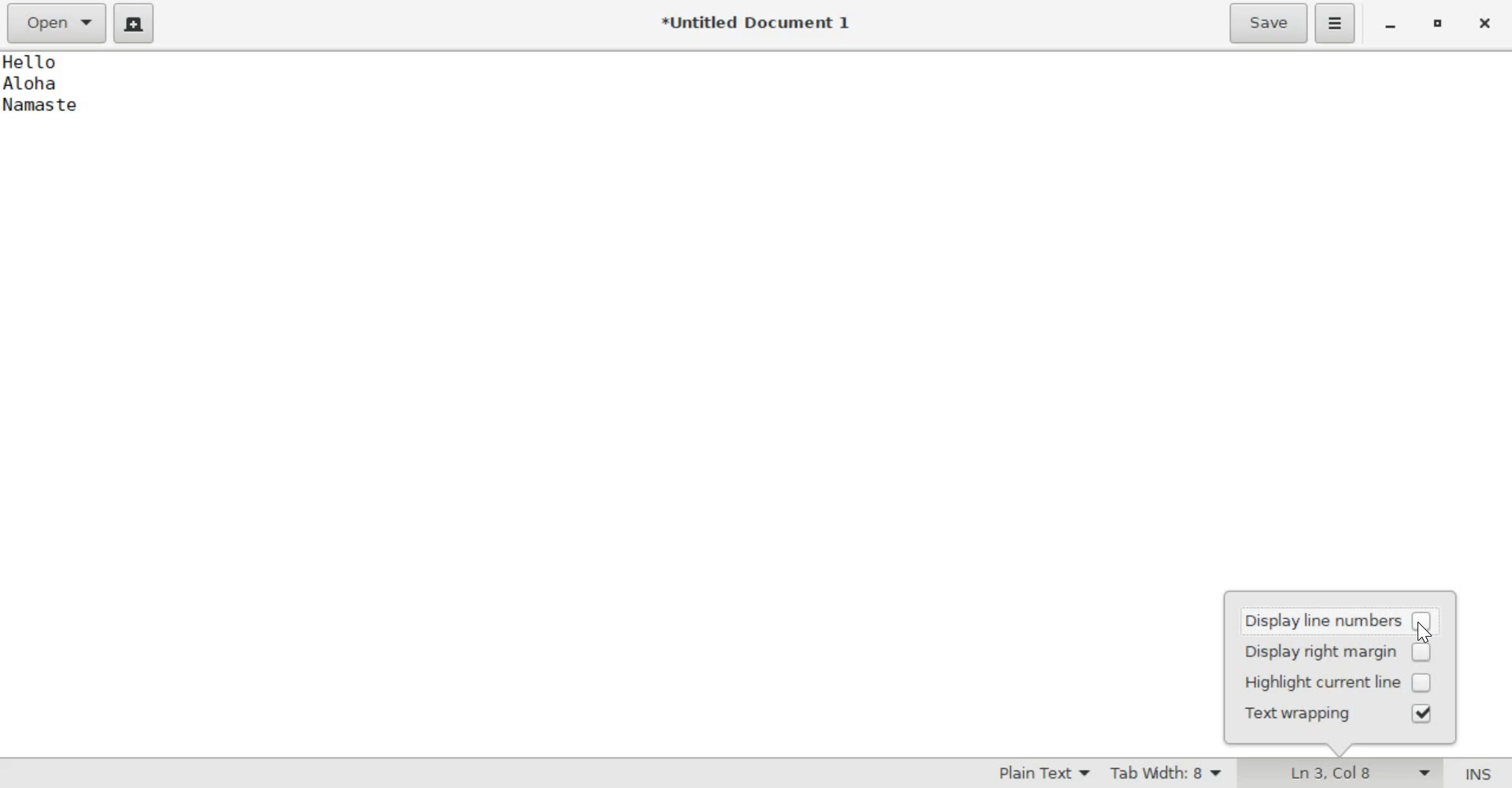  I want to click on display line numbers, so click(1337, 619).